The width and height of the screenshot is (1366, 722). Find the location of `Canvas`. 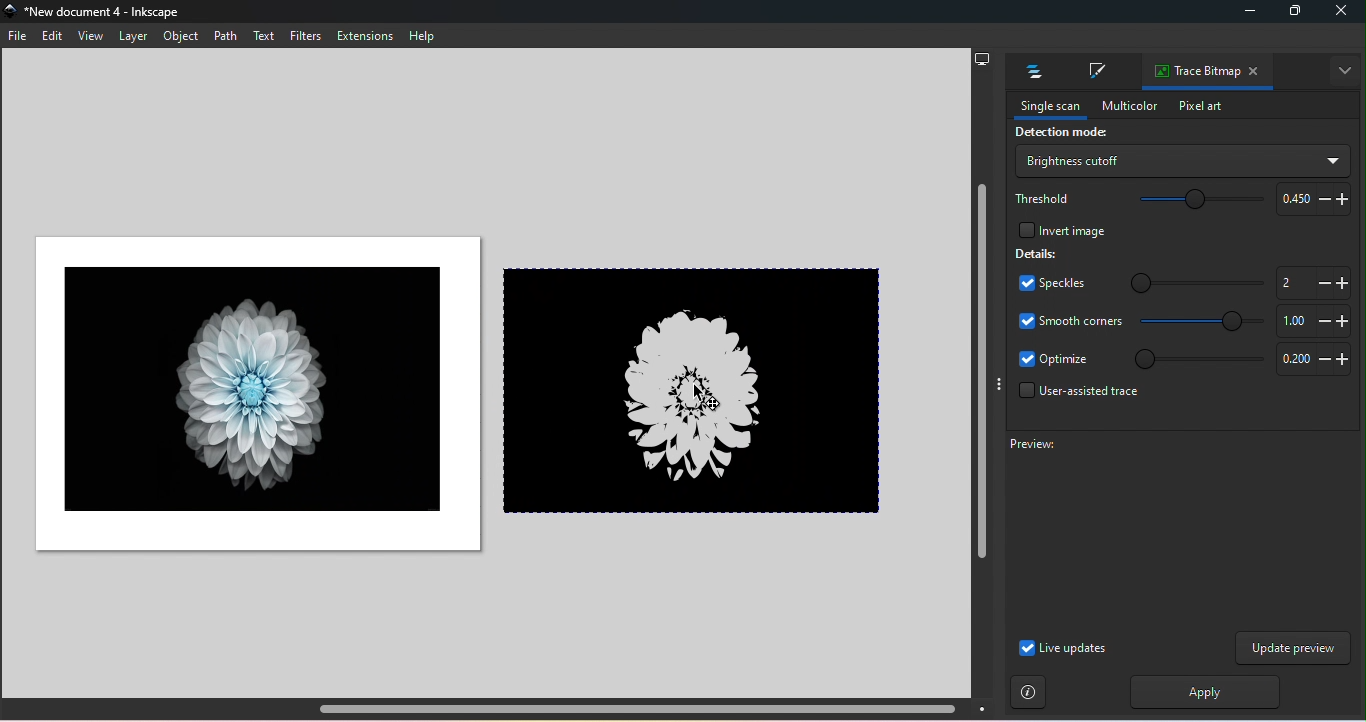

Canvas is located at coordinates (251, 394).